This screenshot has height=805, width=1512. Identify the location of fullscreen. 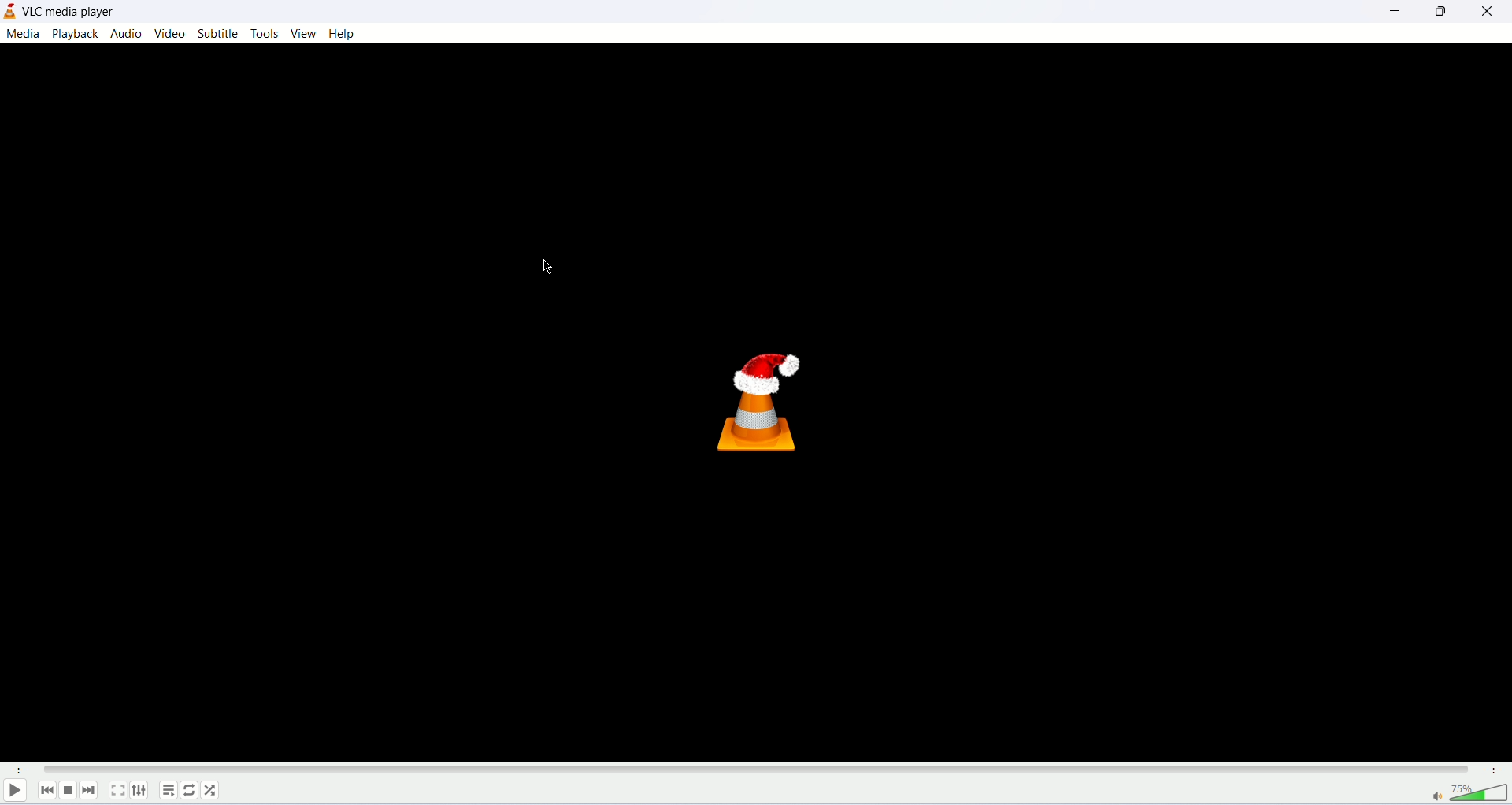
(117, 792).